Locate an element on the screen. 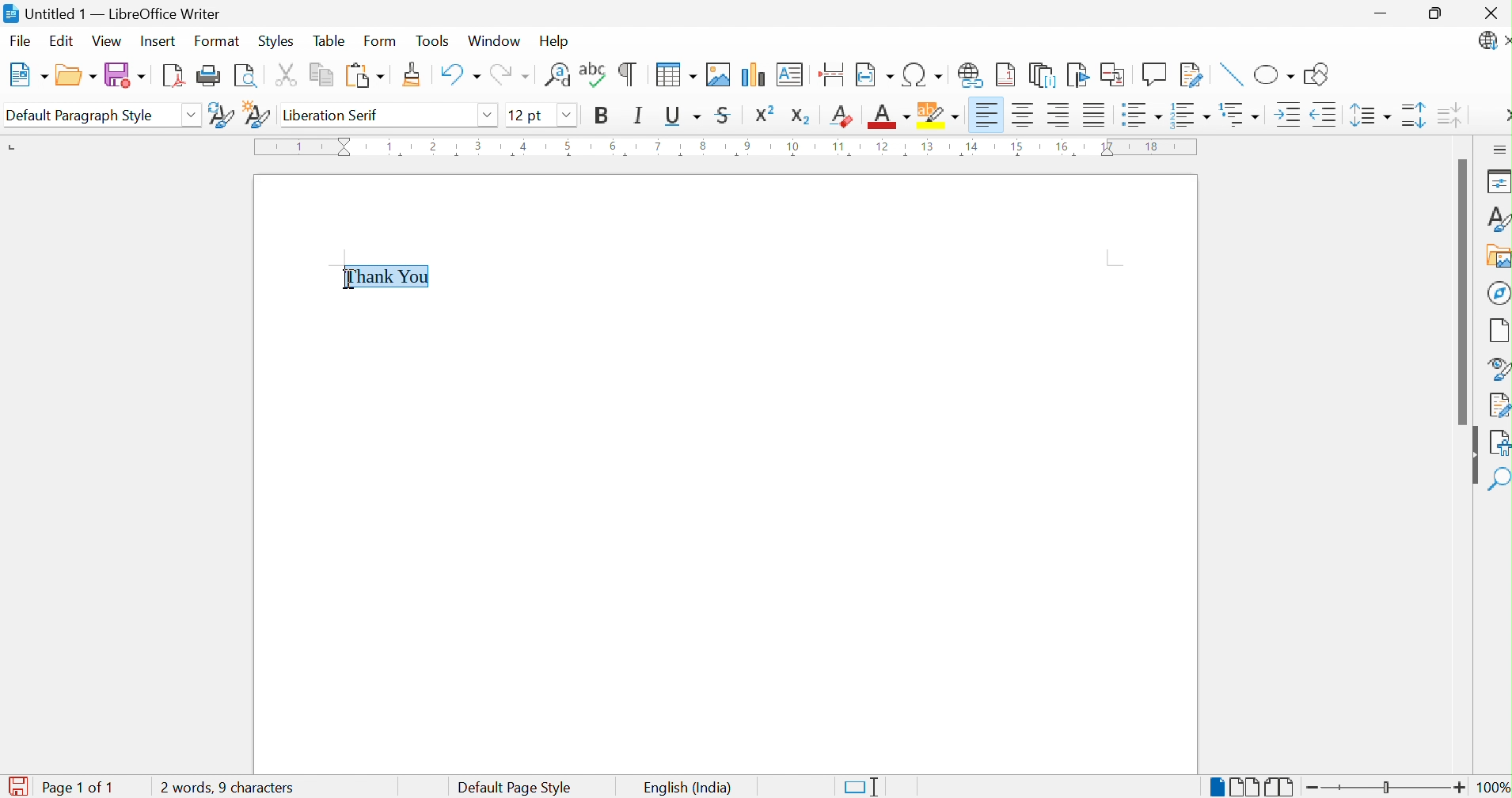 The width and height of the screenshot is (1512, 798). Toggle Formatting Marks is located at coordinates (629, 74).